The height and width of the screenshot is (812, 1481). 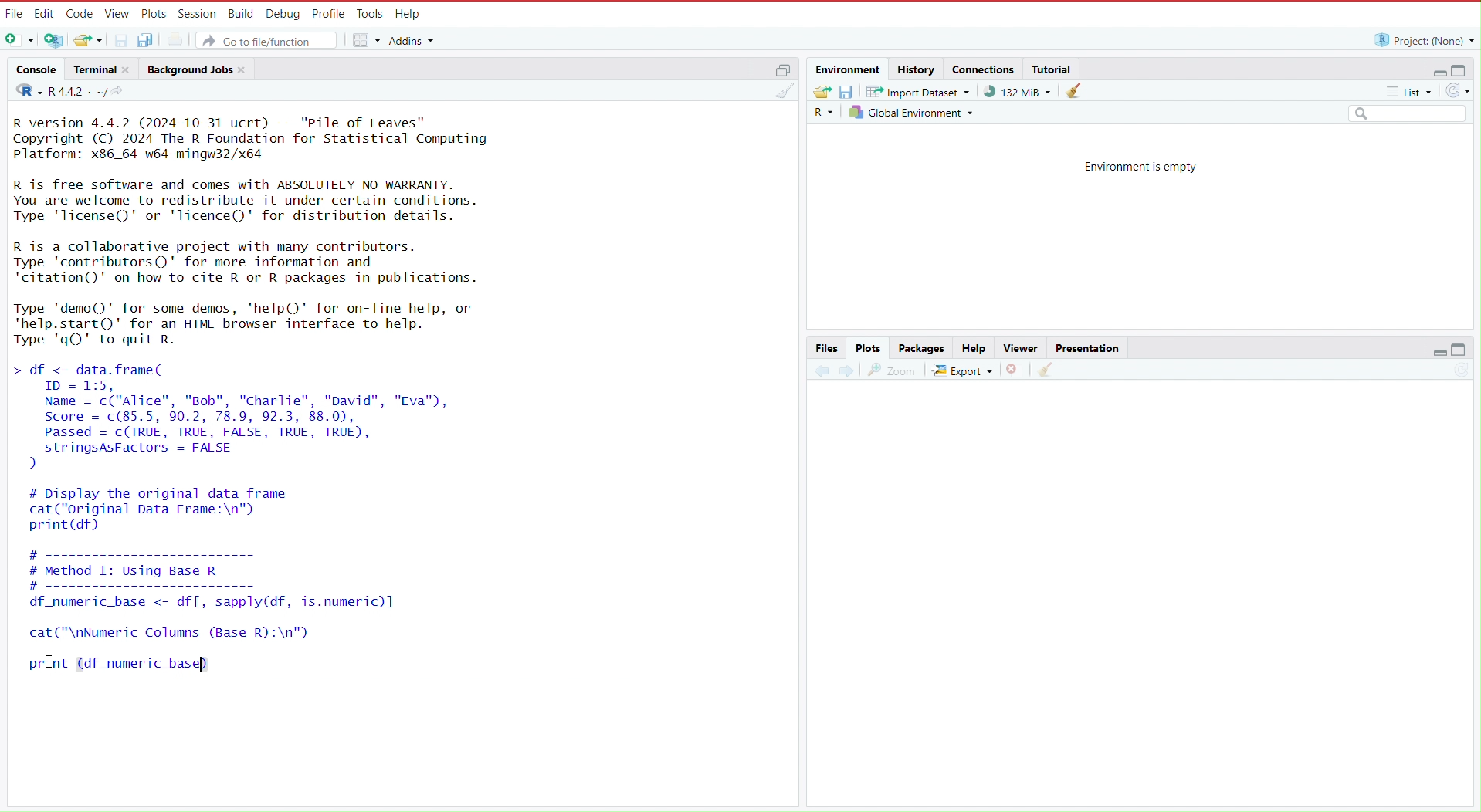 I want to click on R version 4.4.2 (2024-10-31 ucrt) -- "Pile of Leaves"
Copyright (C) 2024 The R Foundation for Statistical Computing
Platform: x86_64-w64-mingw32/x64, so click(x=259, y=137).